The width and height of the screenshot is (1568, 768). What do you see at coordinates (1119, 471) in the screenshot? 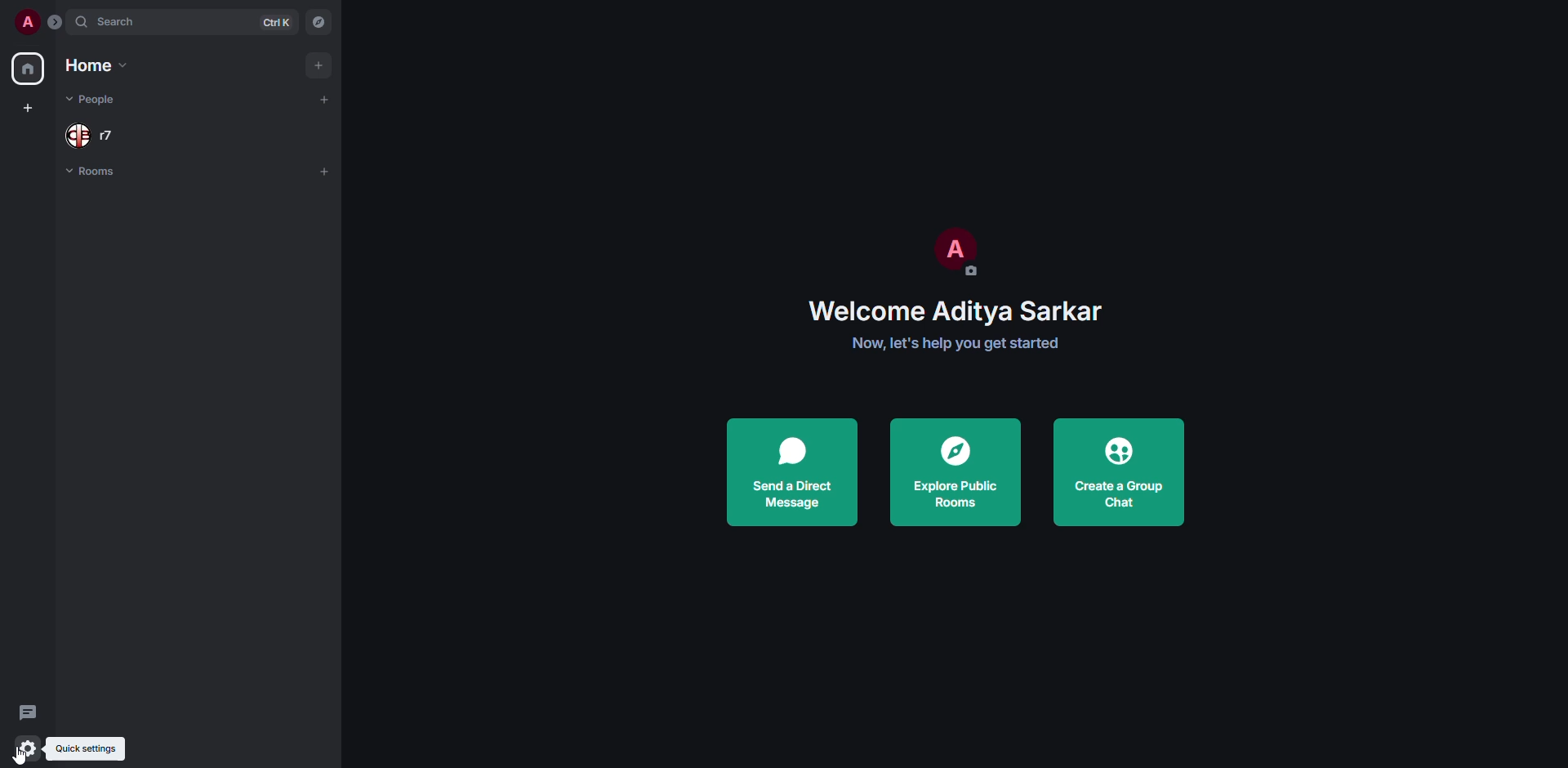
I see `create a group chat` at bounding box center [1119, 471].